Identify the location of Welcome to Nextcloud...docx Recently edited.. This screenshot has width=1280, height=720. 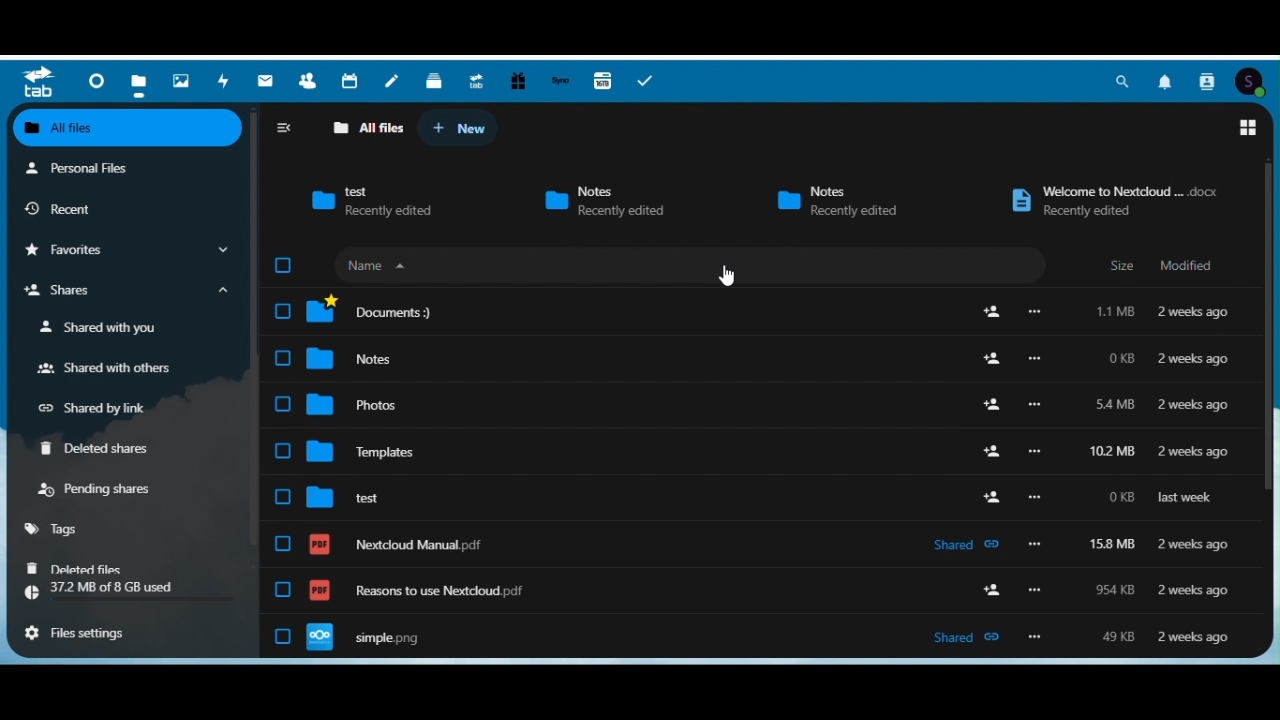
(1103, 199).